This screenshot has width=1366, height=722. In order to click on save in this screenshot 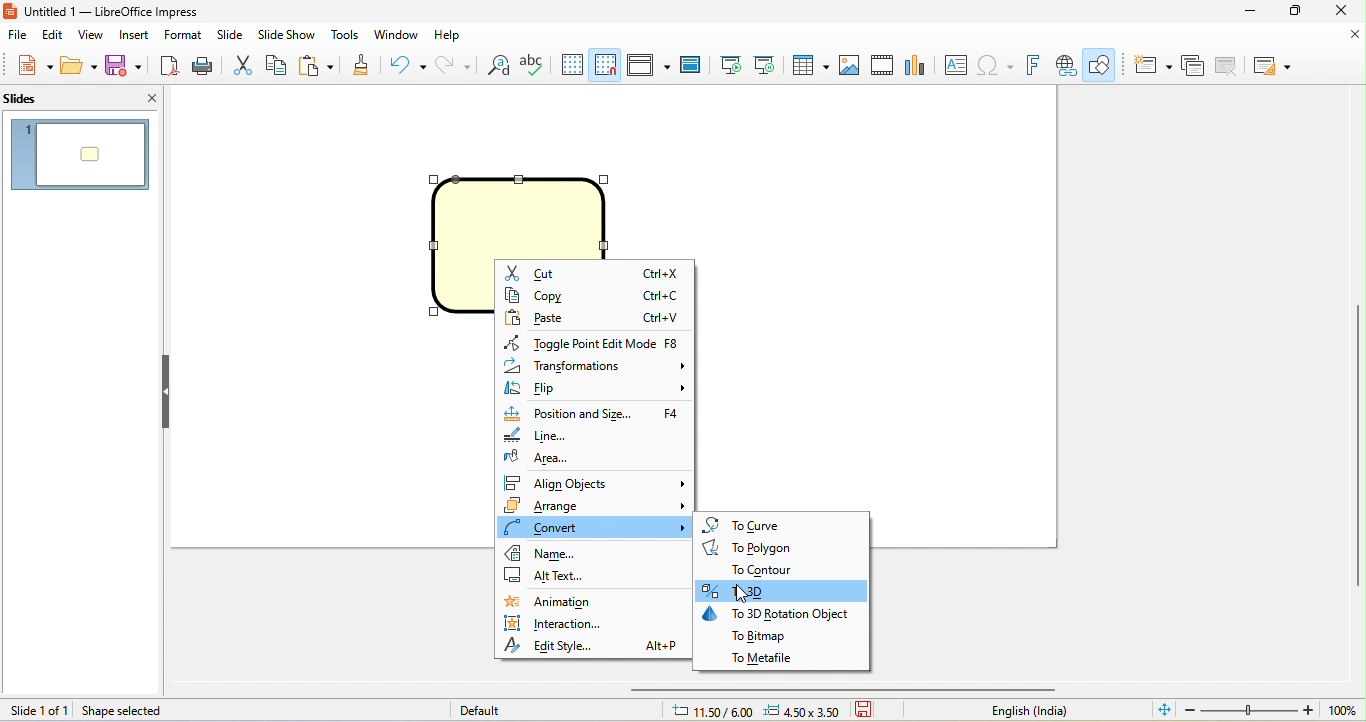, I will do `click(125, 64)`.